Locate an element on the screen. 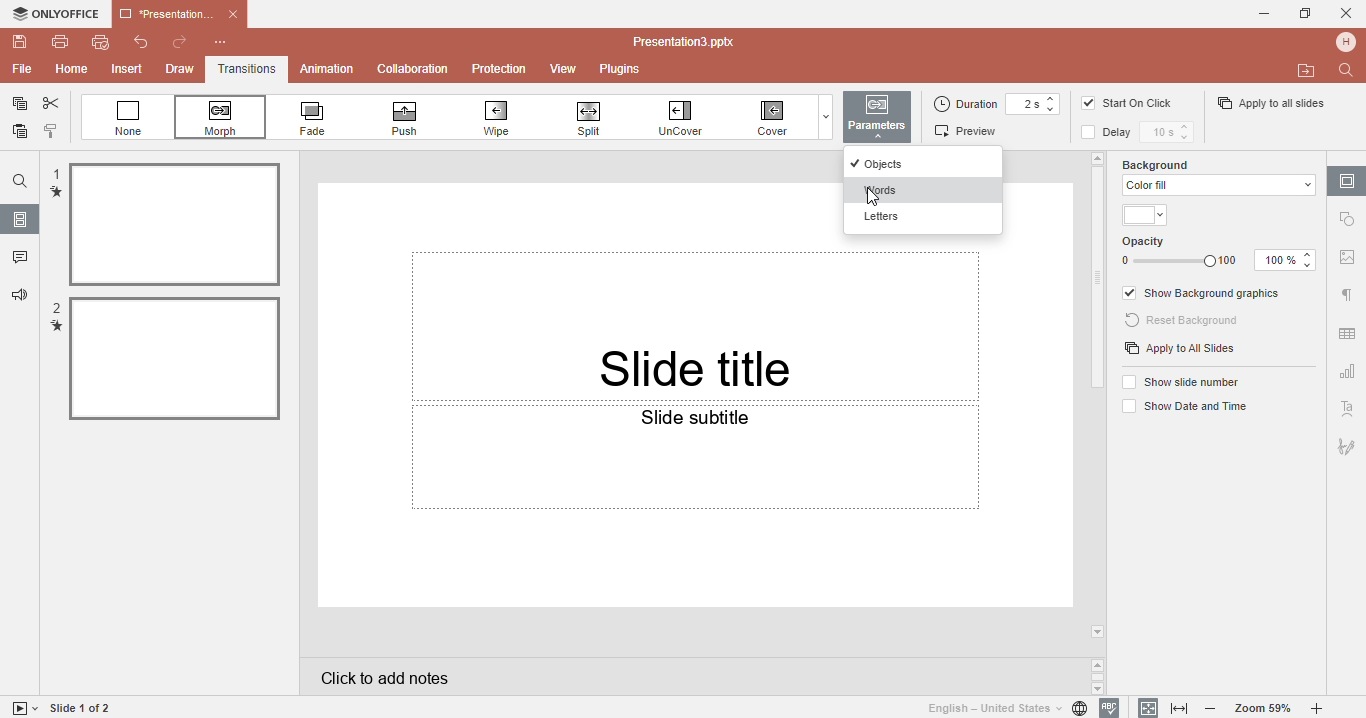 This screenshot has width=1366, height=718. Delay time setting is located at coordinates (1171, 133).